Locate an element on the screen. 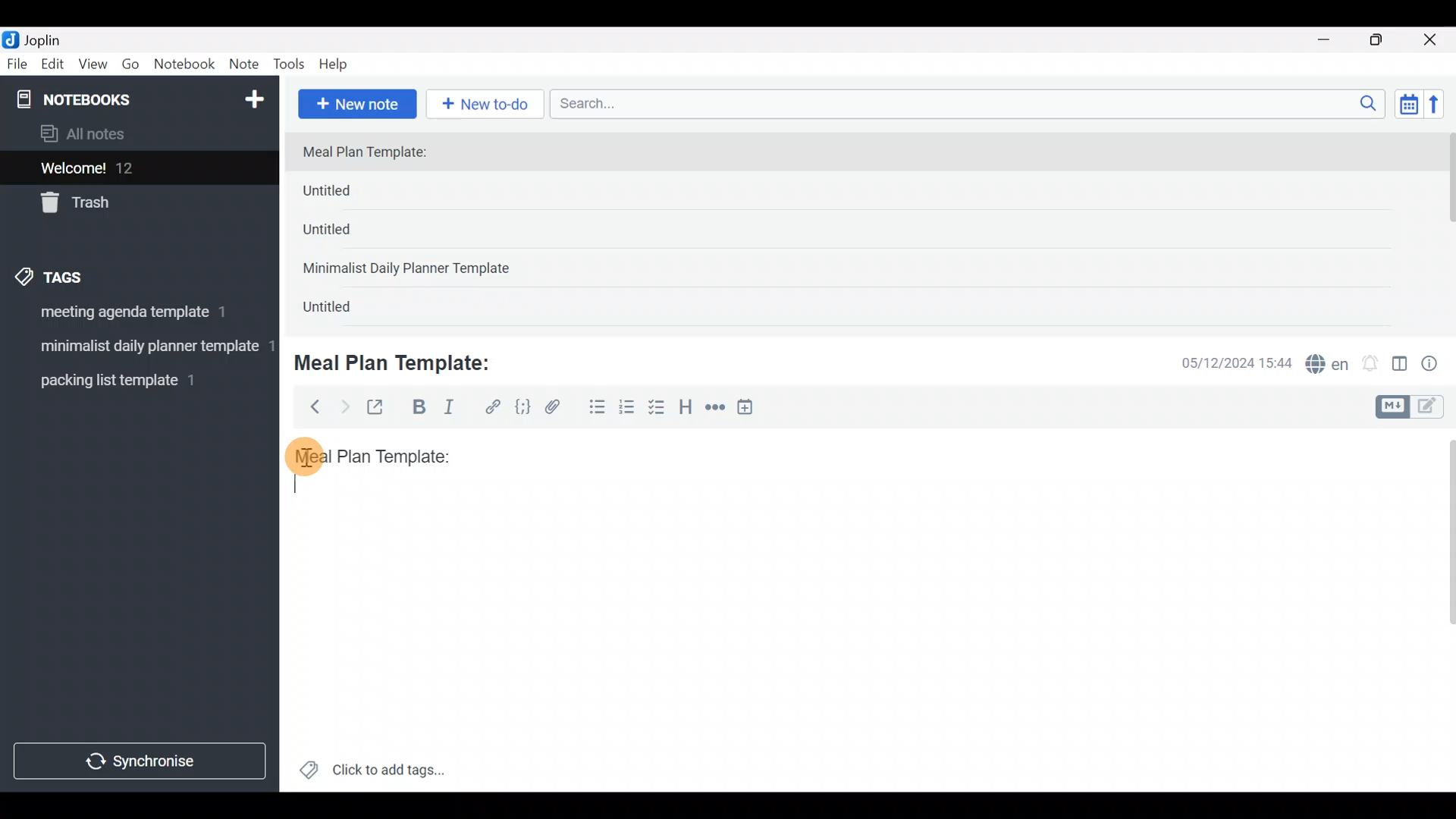 Image resolution: width=1456 pixels, height=819 pixels. Go is located at coordinates (130, 67).